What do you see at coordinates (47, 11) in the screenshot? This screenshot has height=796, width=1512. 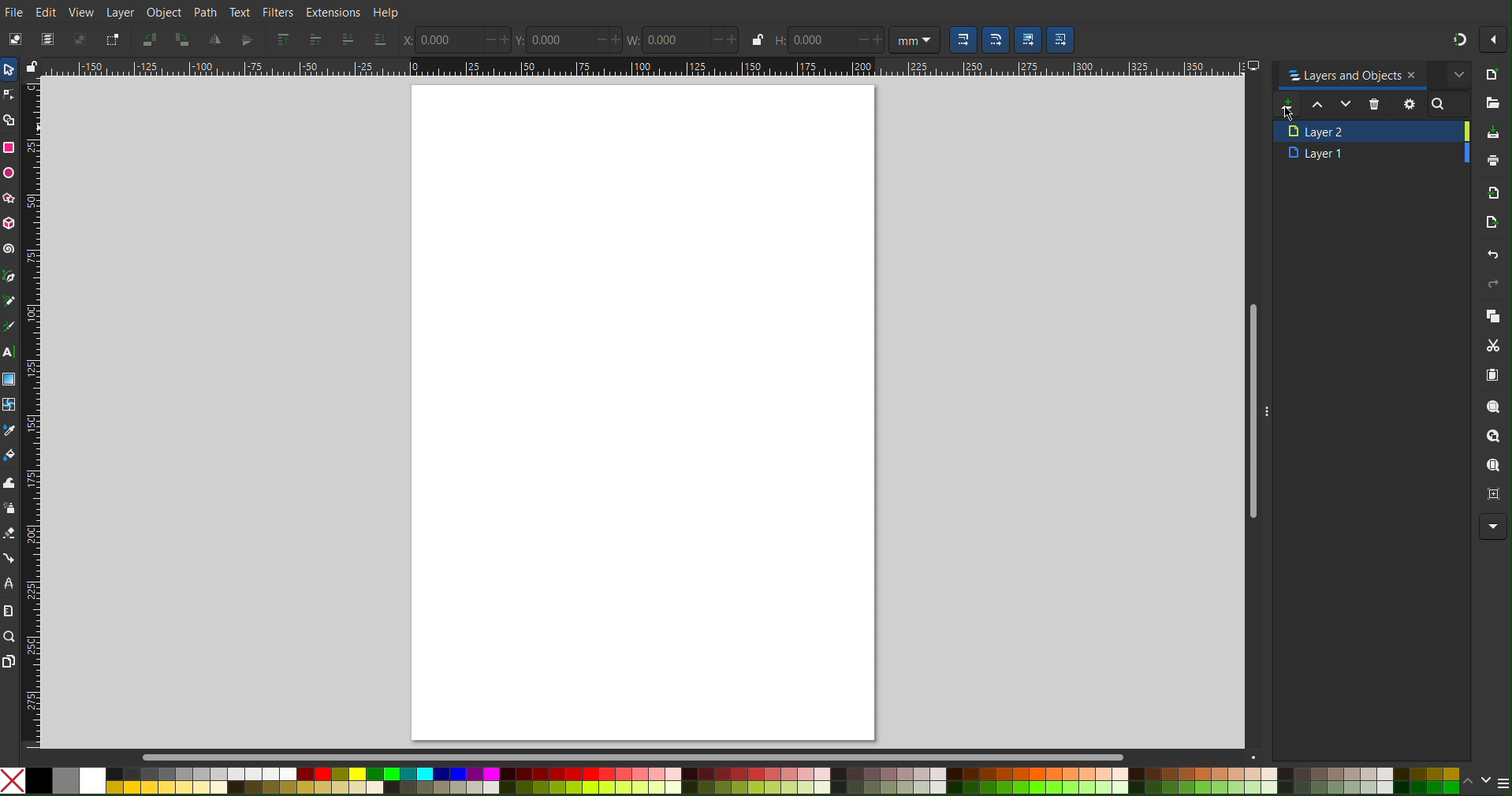 I see `Edit` at bounding box center [47, 11].